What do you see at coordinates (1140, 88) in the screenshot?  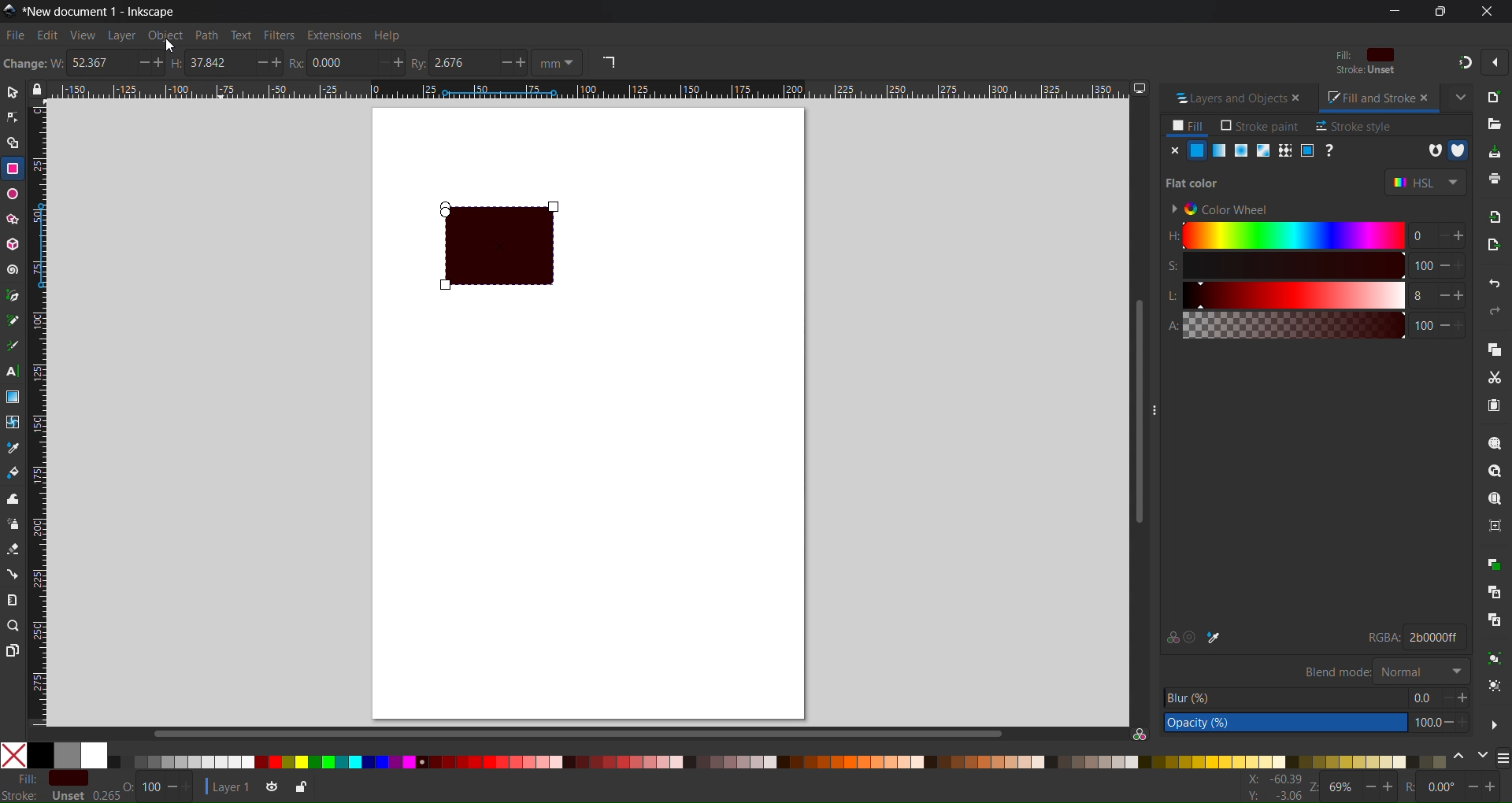 I see `Display option` at bounding box center [1140, 88].